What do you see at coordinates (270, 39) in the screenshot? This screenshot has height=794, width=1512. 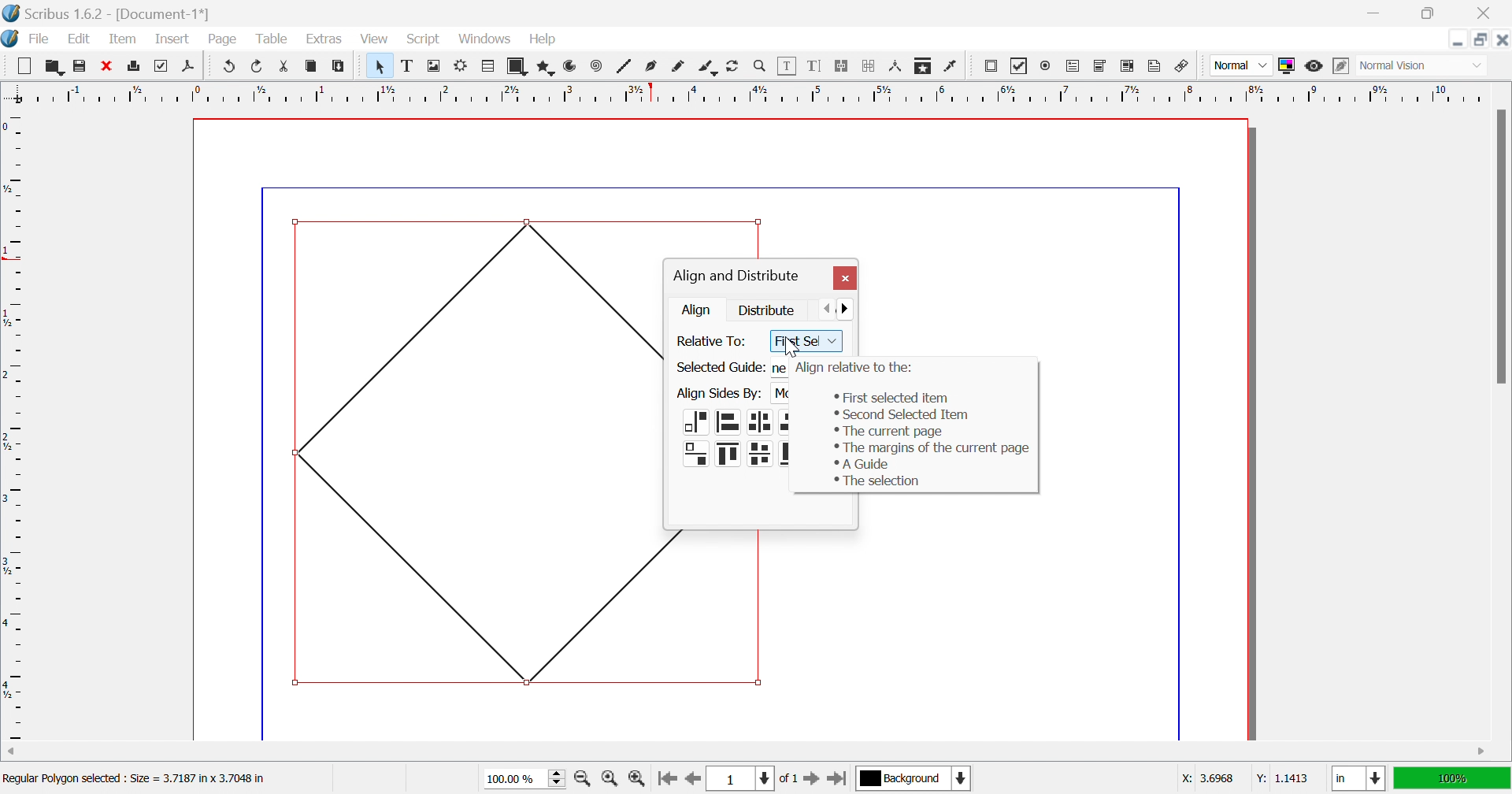 I see `Table` at bounding box center [270, 39].